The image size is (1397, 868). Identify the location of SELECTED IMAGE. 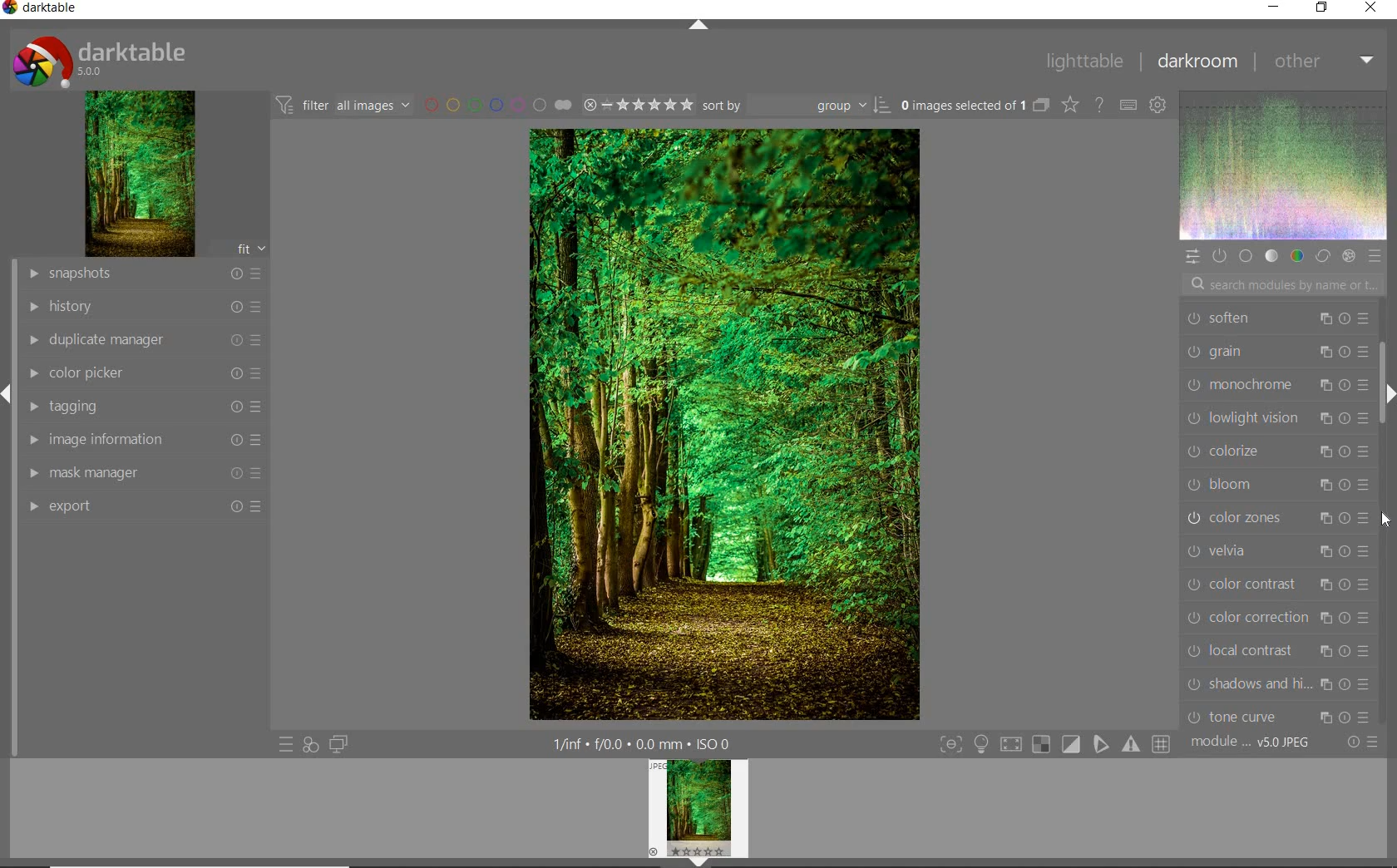
(962, 106).